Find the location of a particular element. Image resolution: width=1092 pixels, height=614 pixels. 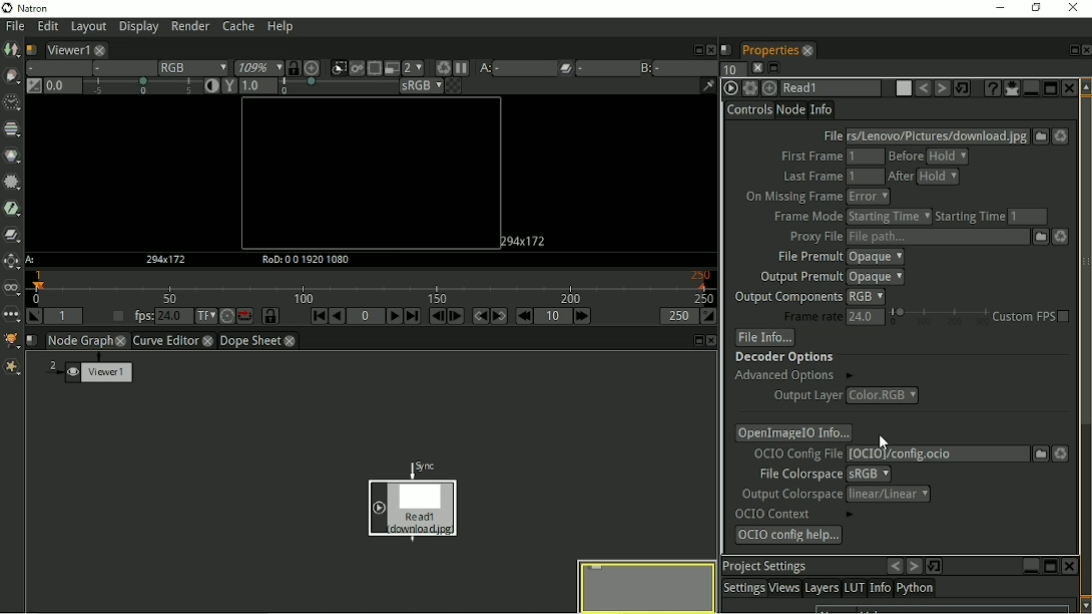

Advanced options is located at coordinates (793, 375).